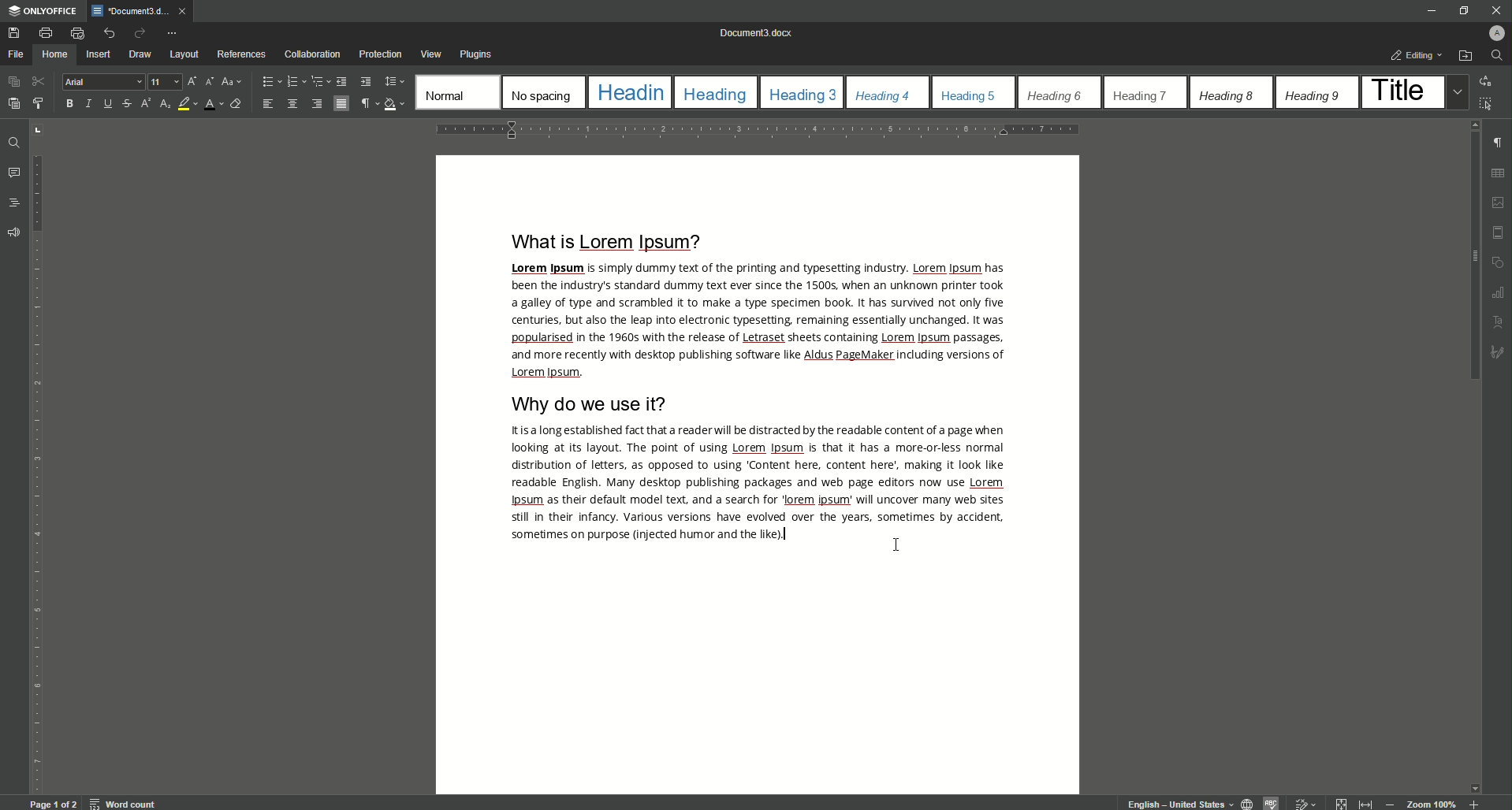 This screenshot has height=810, width=1512. Describe the element at coordinates (209, 104) in the screenshot. I see `Font Color` at that location.